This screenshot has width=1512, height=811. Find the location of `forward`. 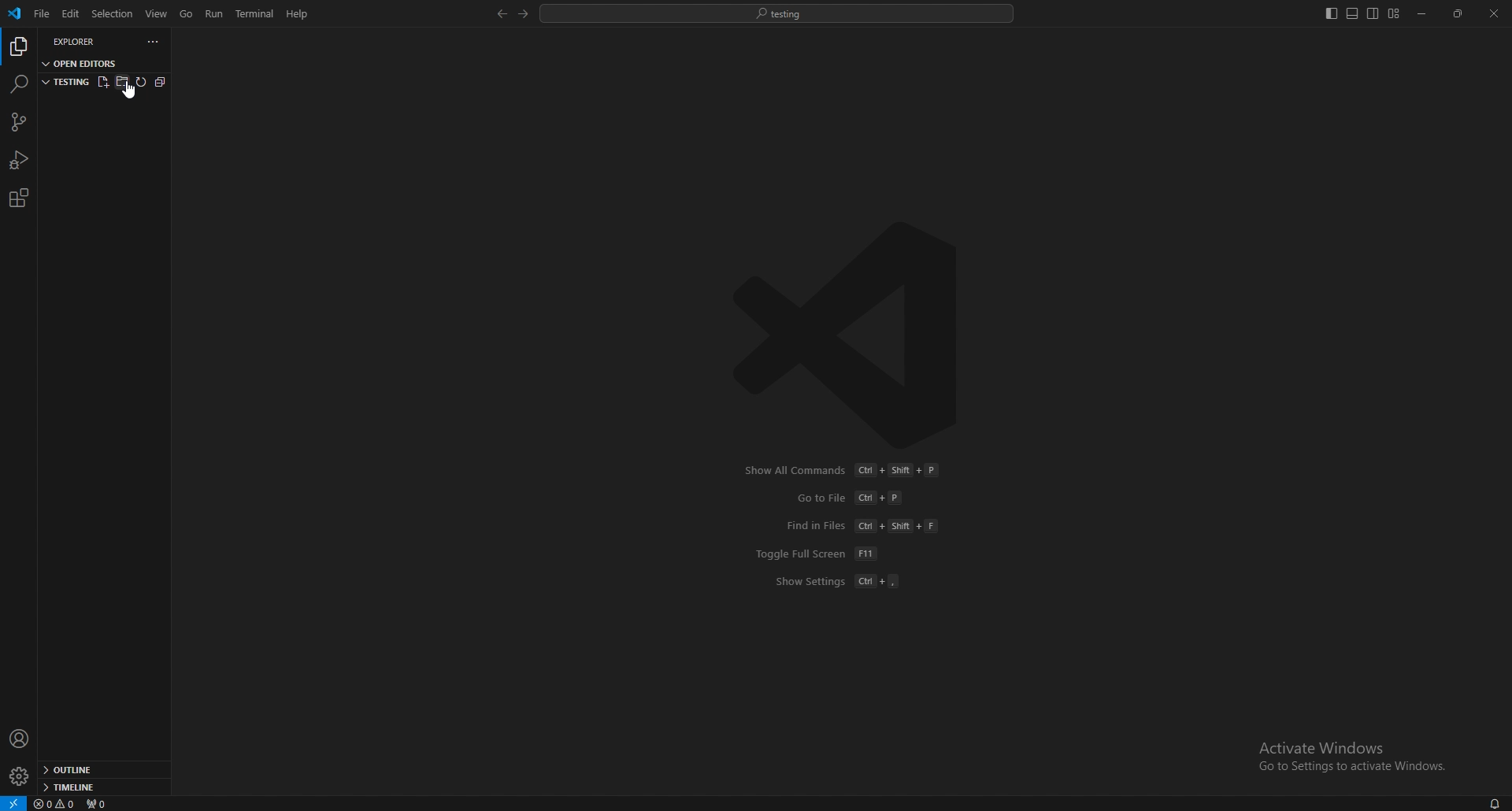

forward is located at coordinates (521, 14).